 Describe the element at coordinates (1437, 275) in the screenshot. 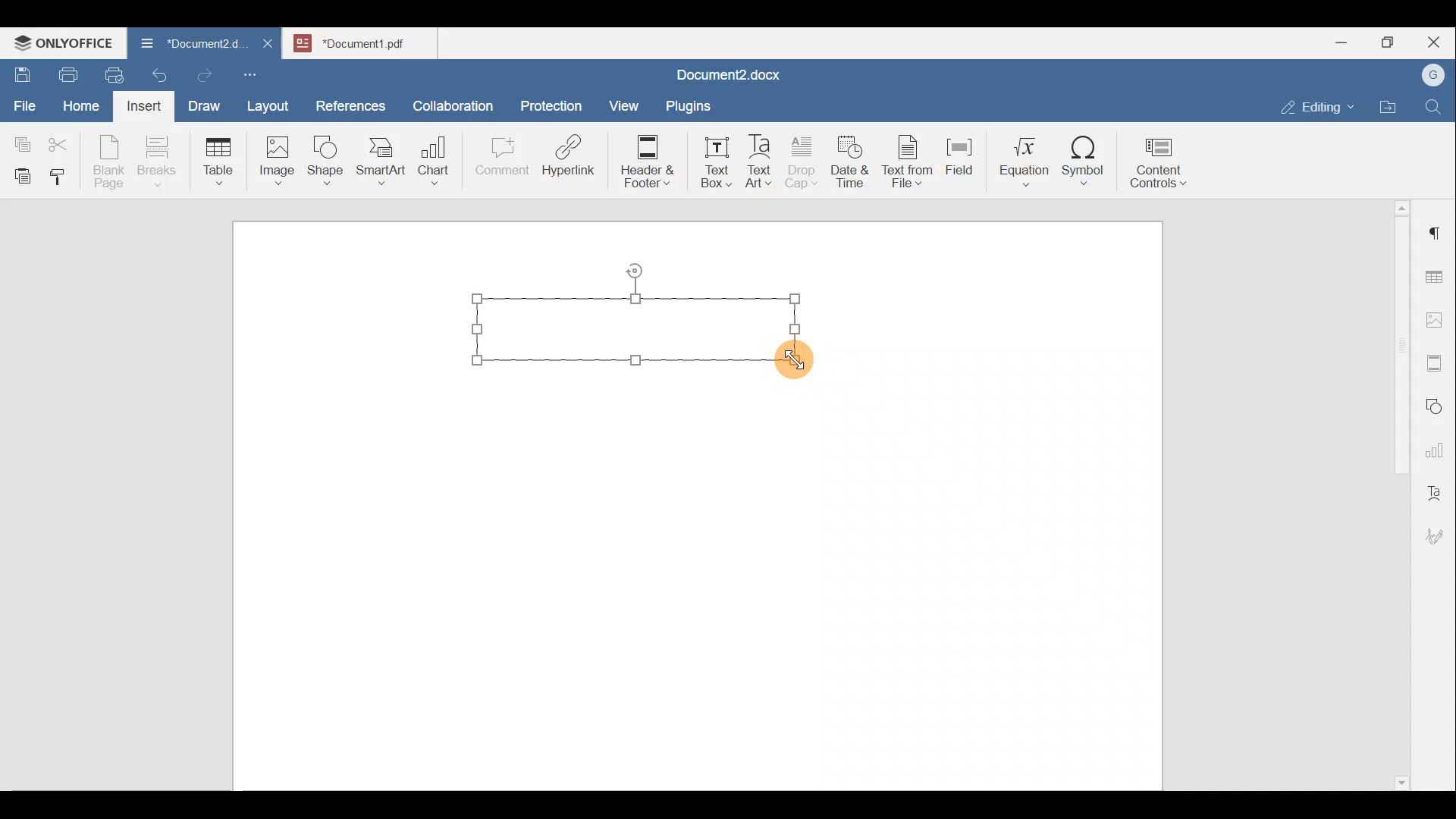

I see `Table settings` at that location.